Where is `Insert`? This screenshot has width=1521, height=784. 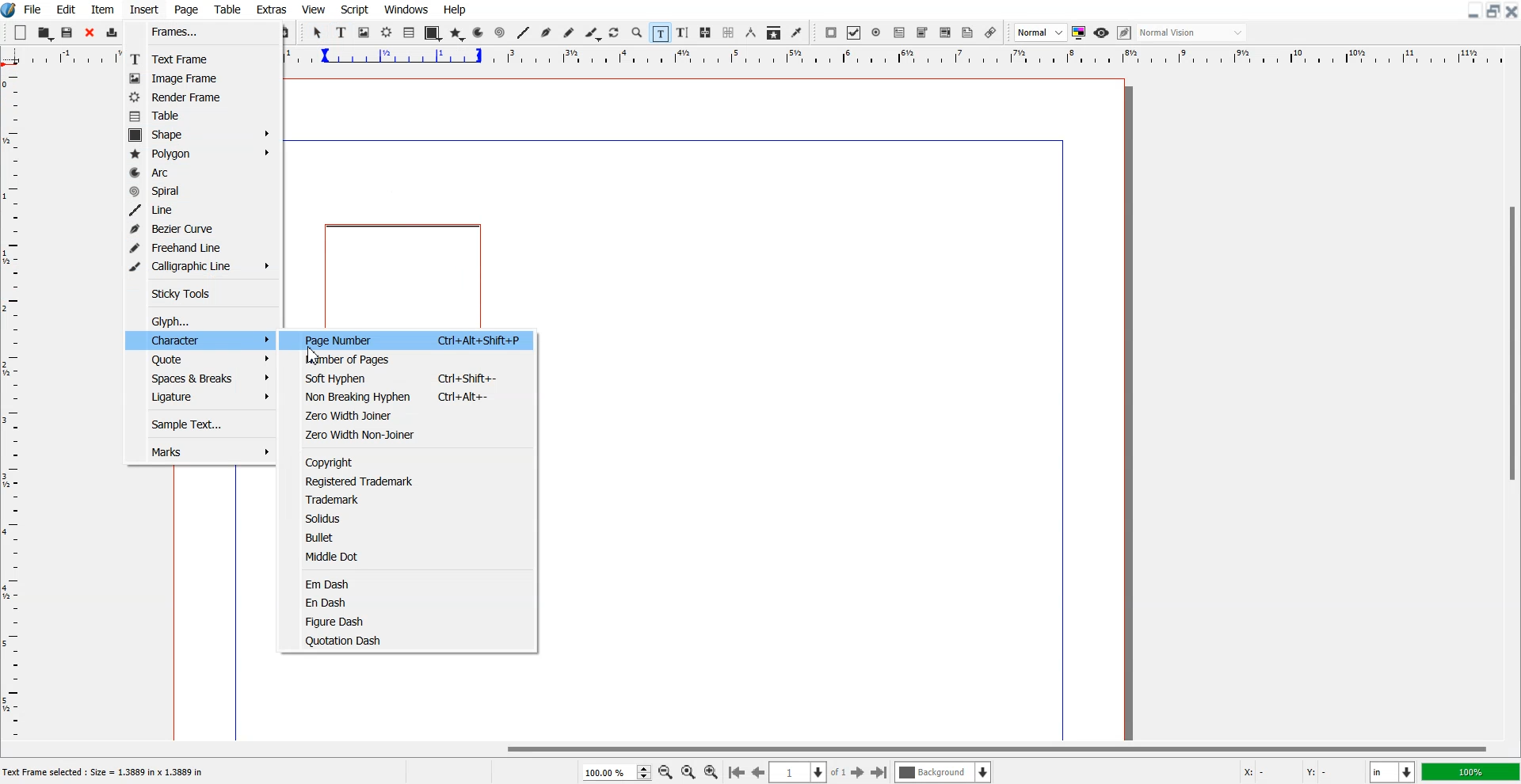 Insert is located at coordinates (143, 10).